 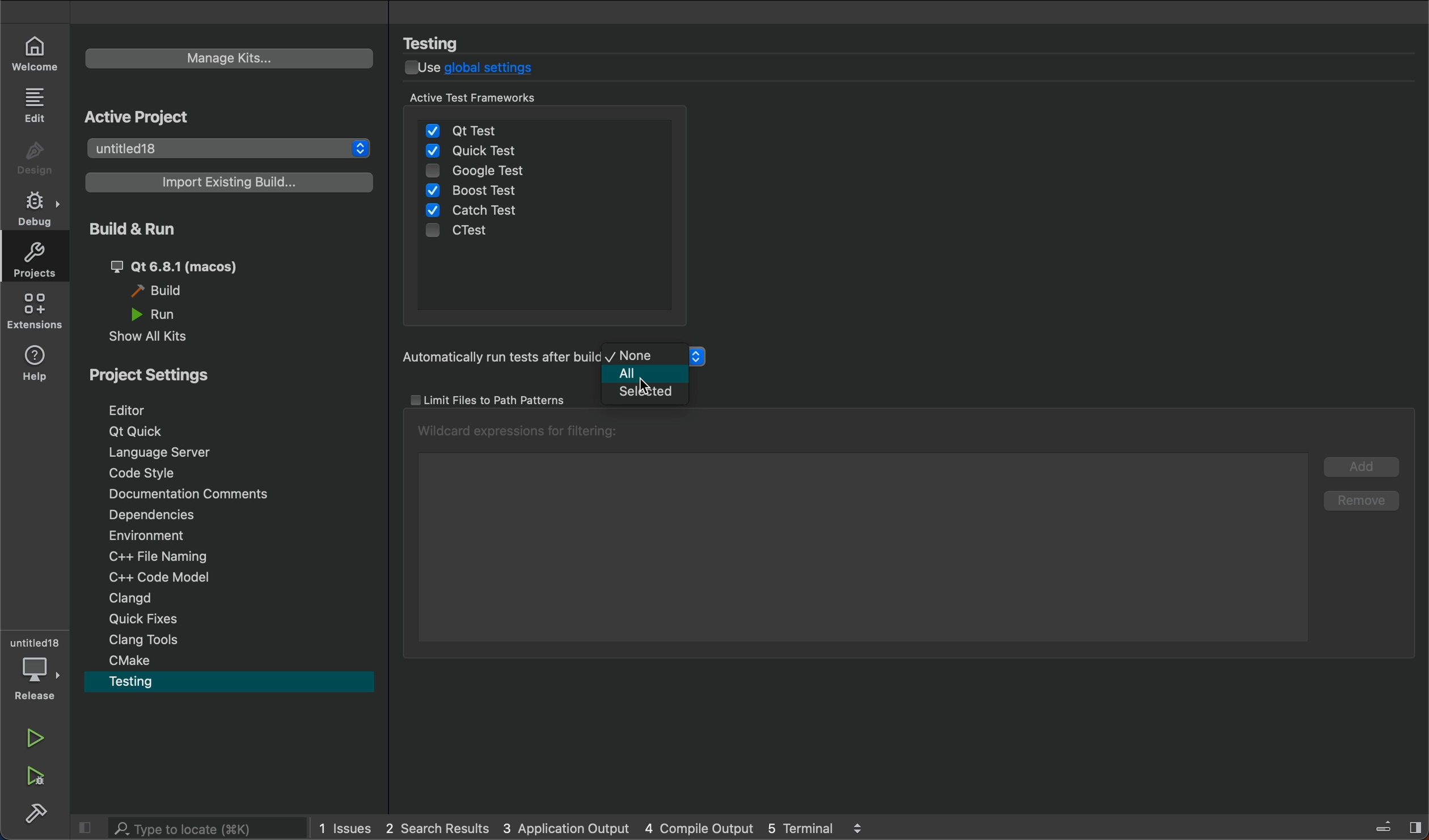 I want to click on qt quick, so click(x=136, y=429).